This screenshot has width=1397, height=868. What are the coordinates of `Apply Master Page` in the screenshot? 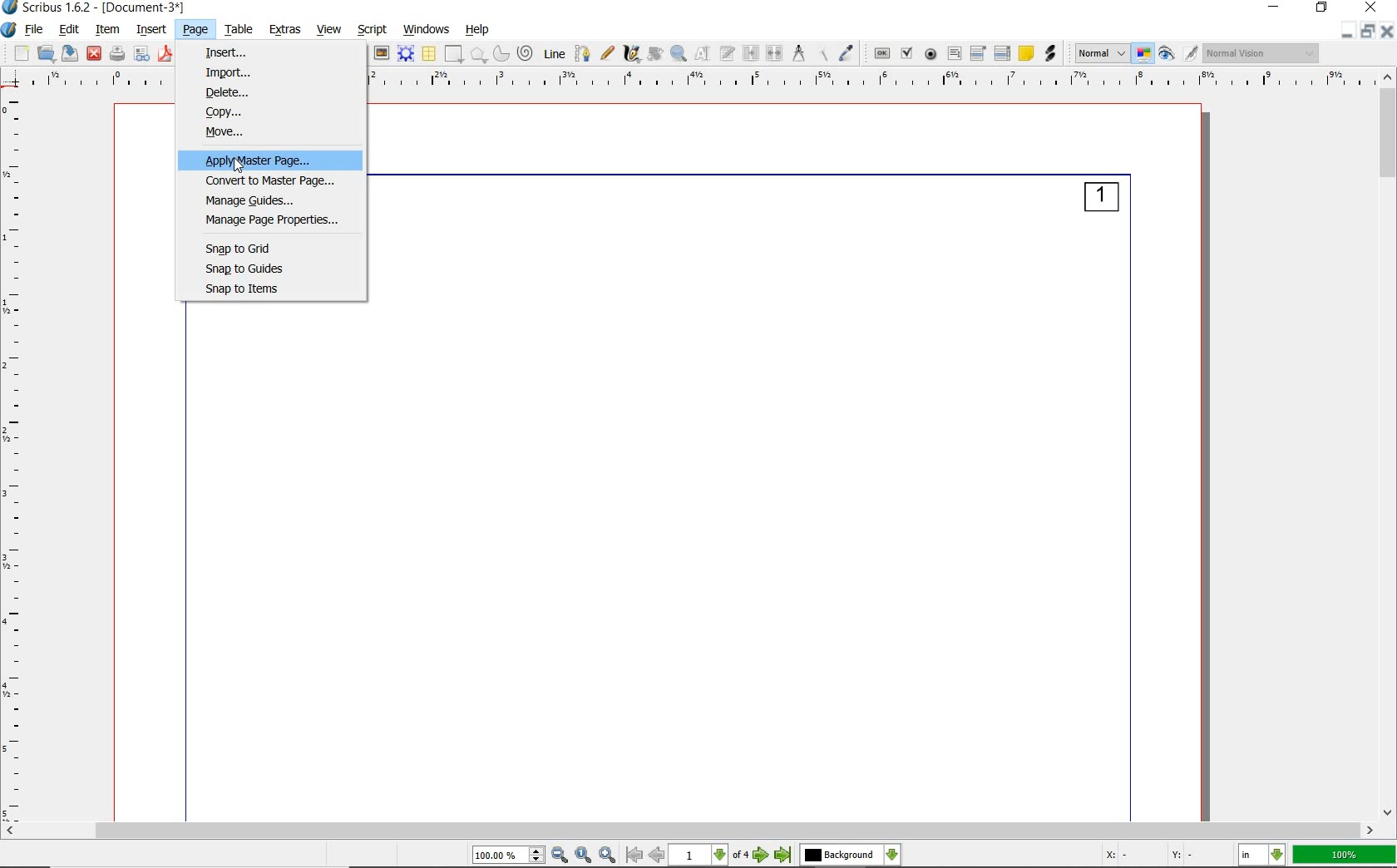 It's located at (284, 160).